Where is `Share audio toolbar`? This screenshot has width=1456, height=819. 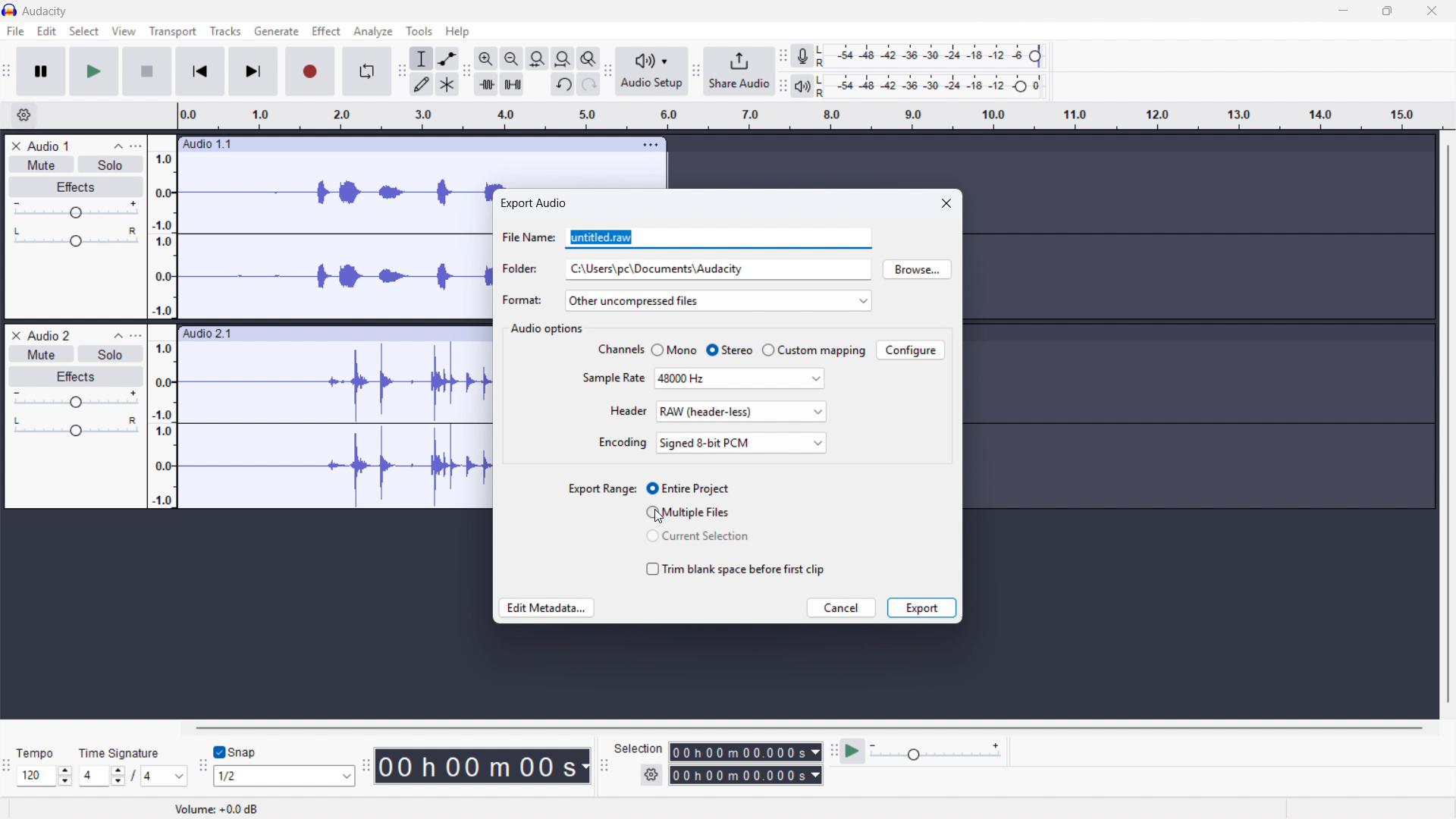
Share audio toolbar is located at coordinates (696, 72).